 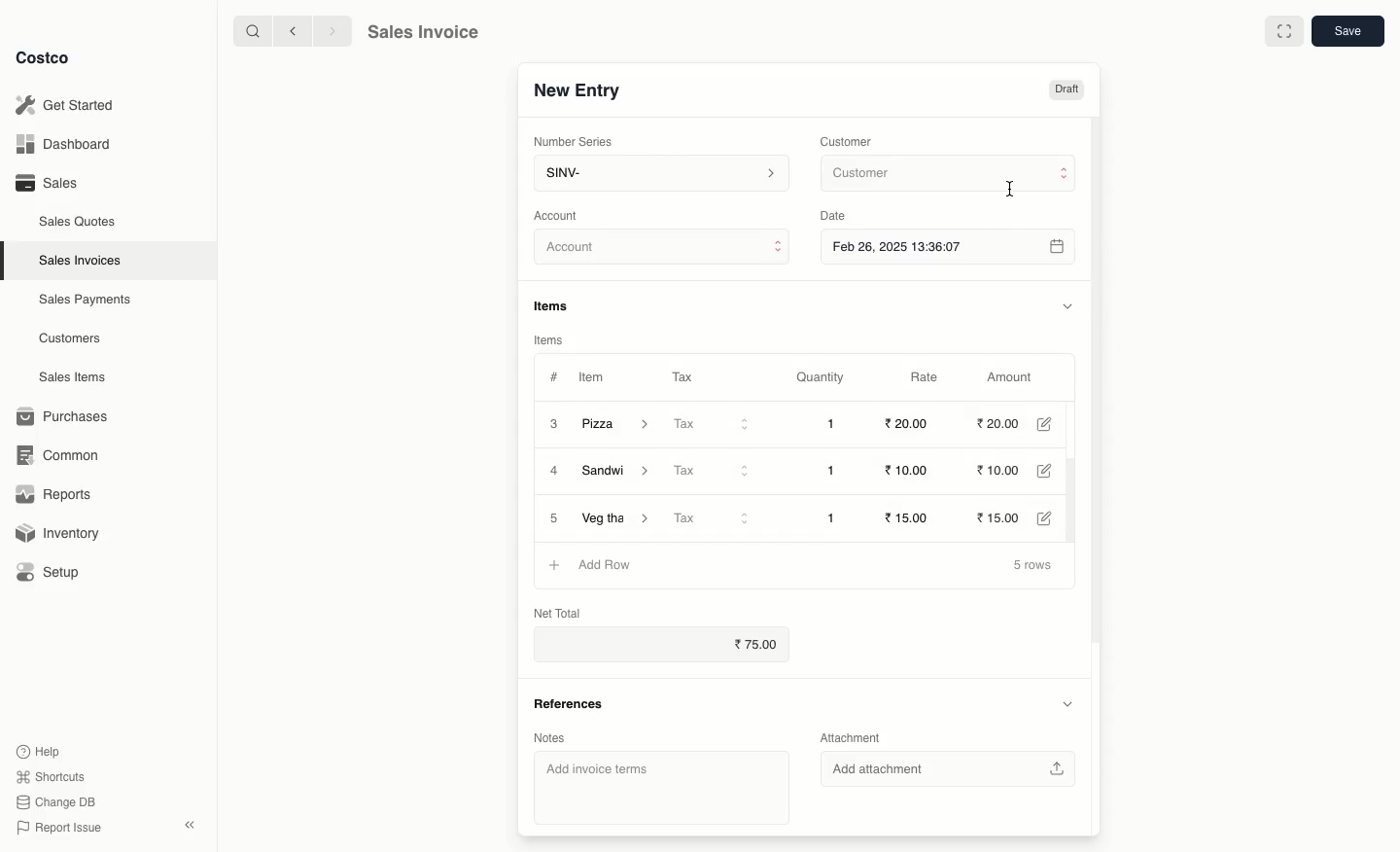 What do you see at coordinates (927, 377) in the screenshot?
I see `Rate` at bounding box center [927, 377].